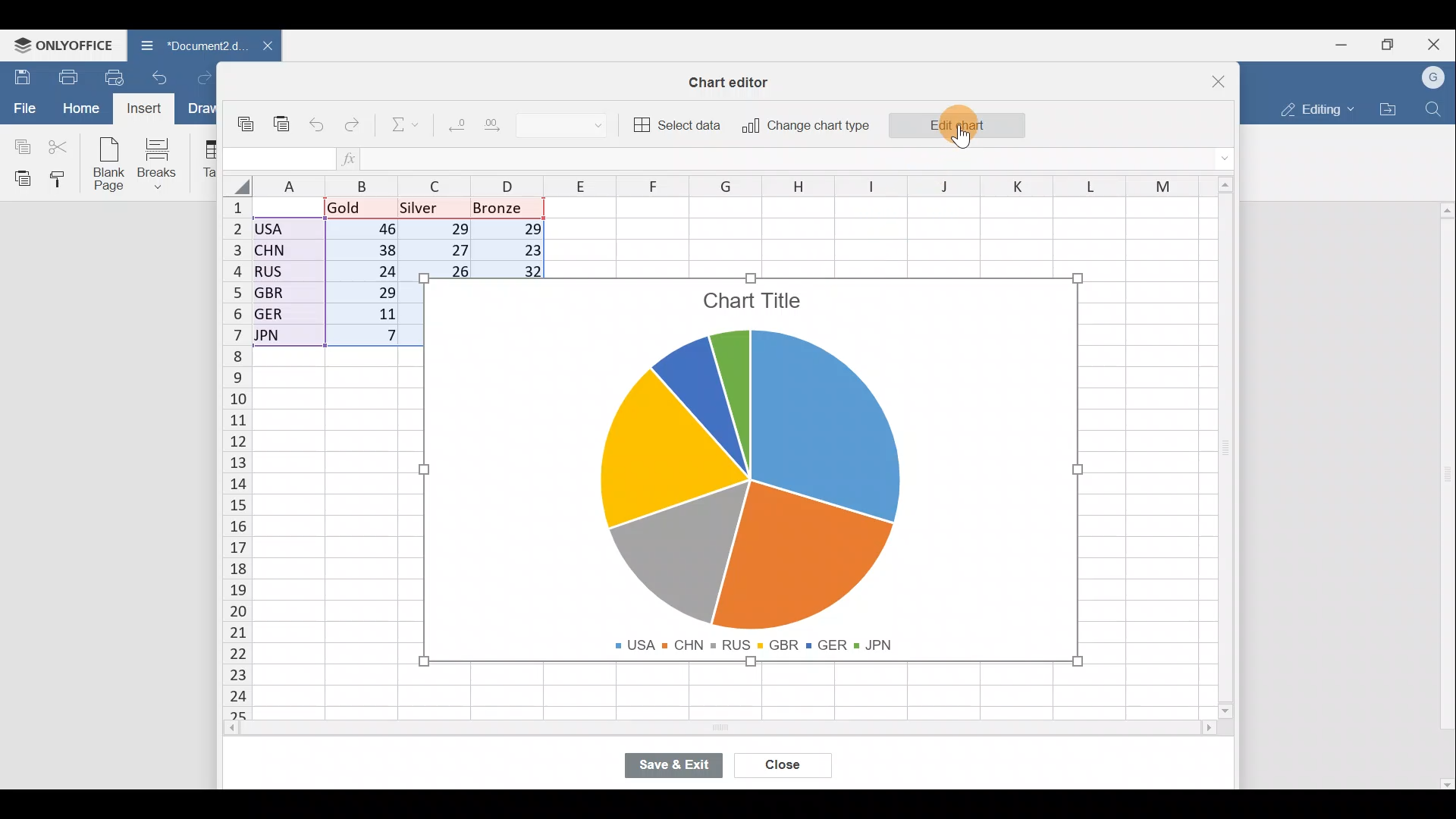 This screenshot has width=1456, height=819. I want to click on Document name, so click(186, 45).